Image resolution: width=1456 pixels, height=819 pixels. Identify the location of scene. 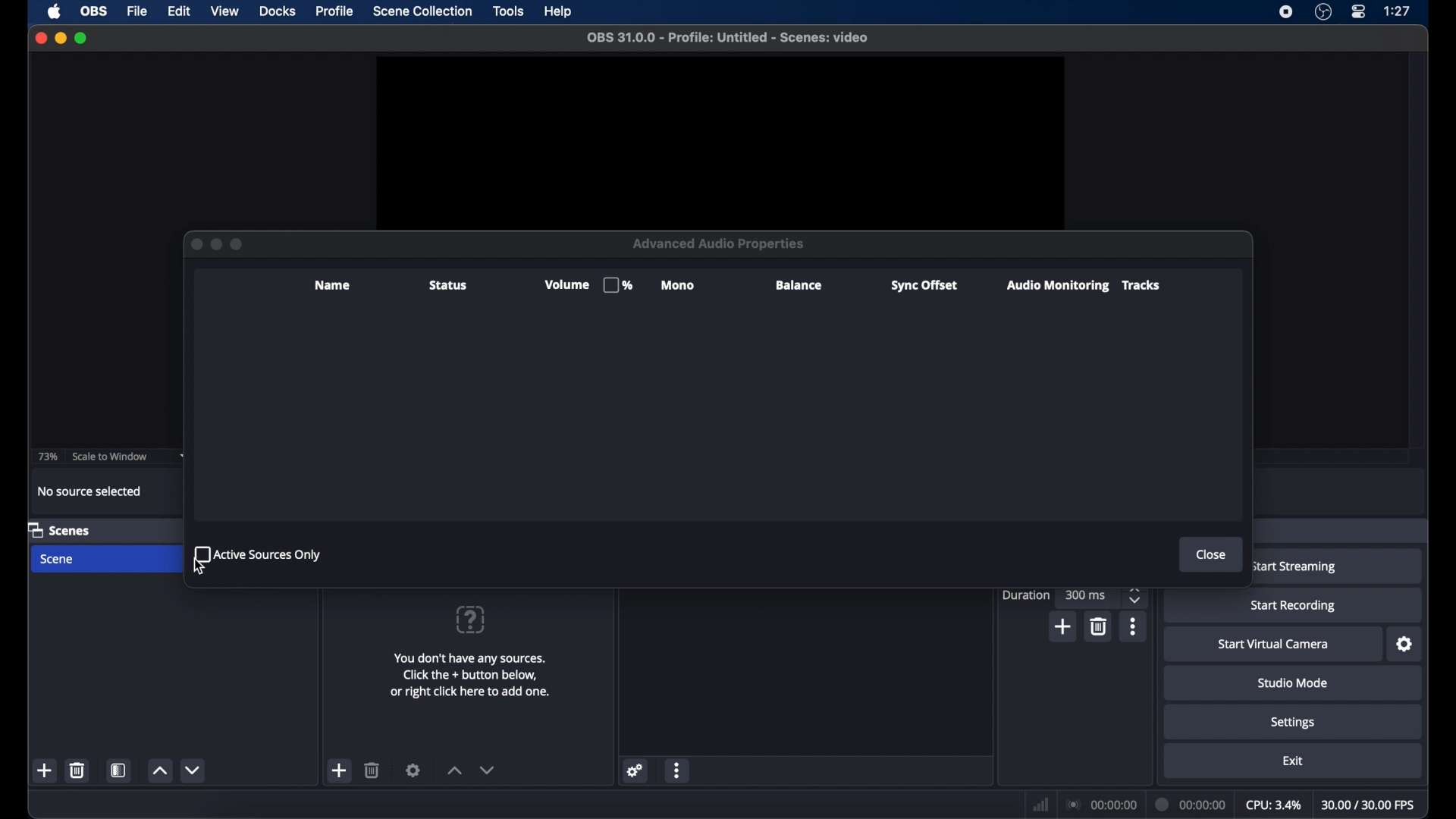
(58, 560).